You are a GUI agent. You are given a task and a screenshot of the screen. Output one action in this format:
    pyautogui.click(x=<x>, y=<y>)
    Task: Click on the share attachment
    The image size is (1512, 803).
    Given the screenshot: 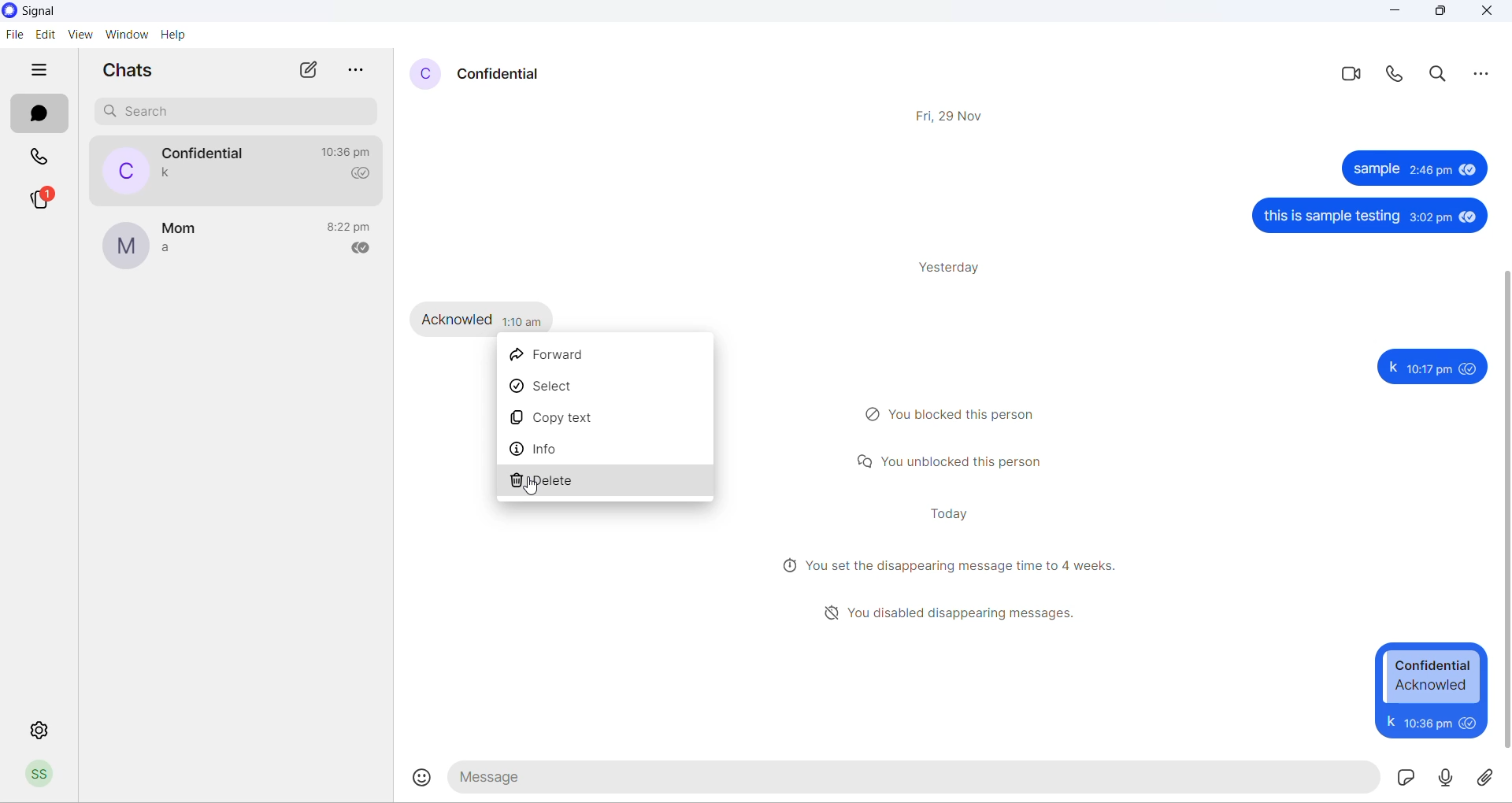 What is the action you would take?
    pyautogui.click(x=1489, y=779)
    